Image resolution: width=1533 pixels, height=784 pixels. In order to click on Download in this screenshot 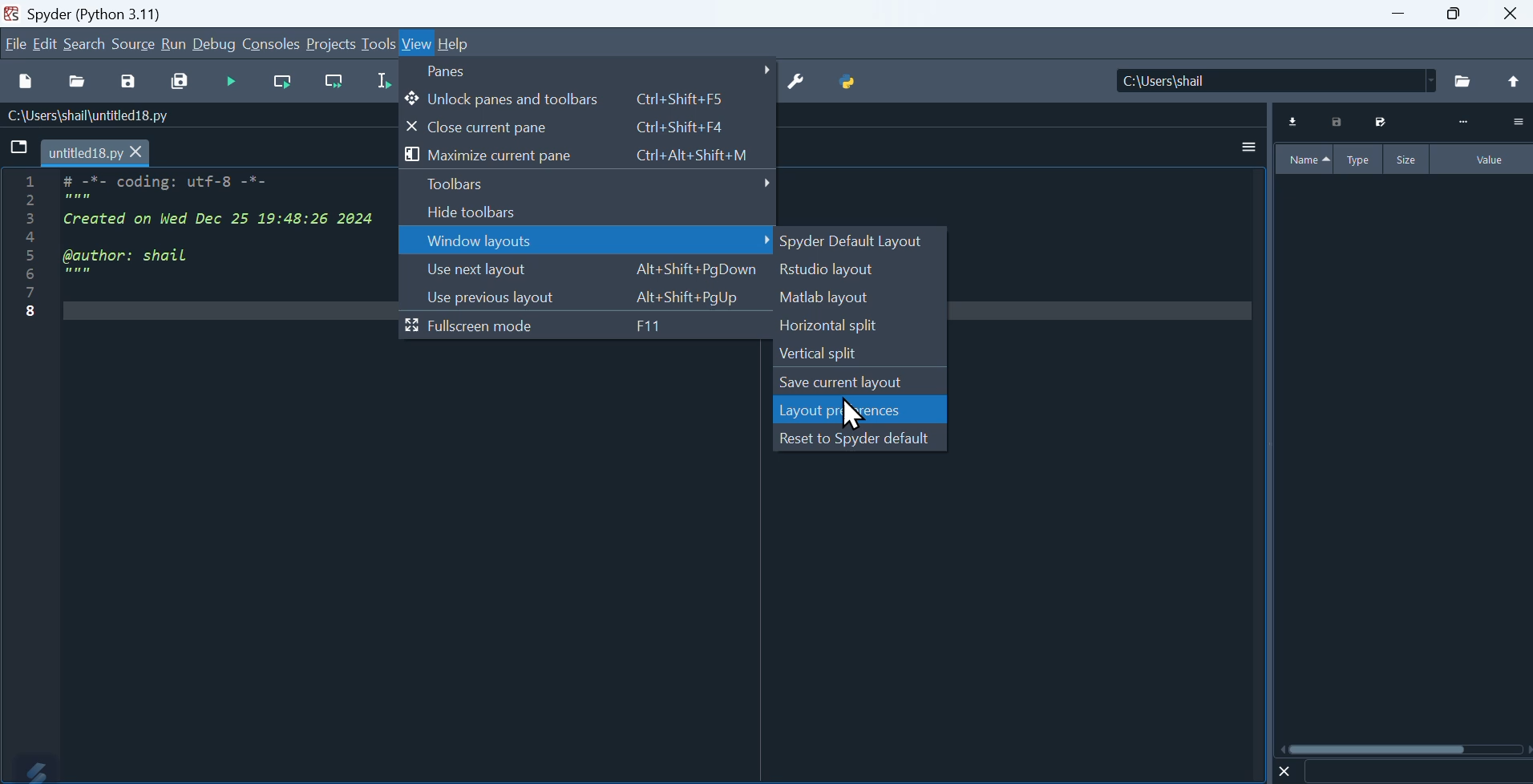, I will do `click(1294, 122)`.